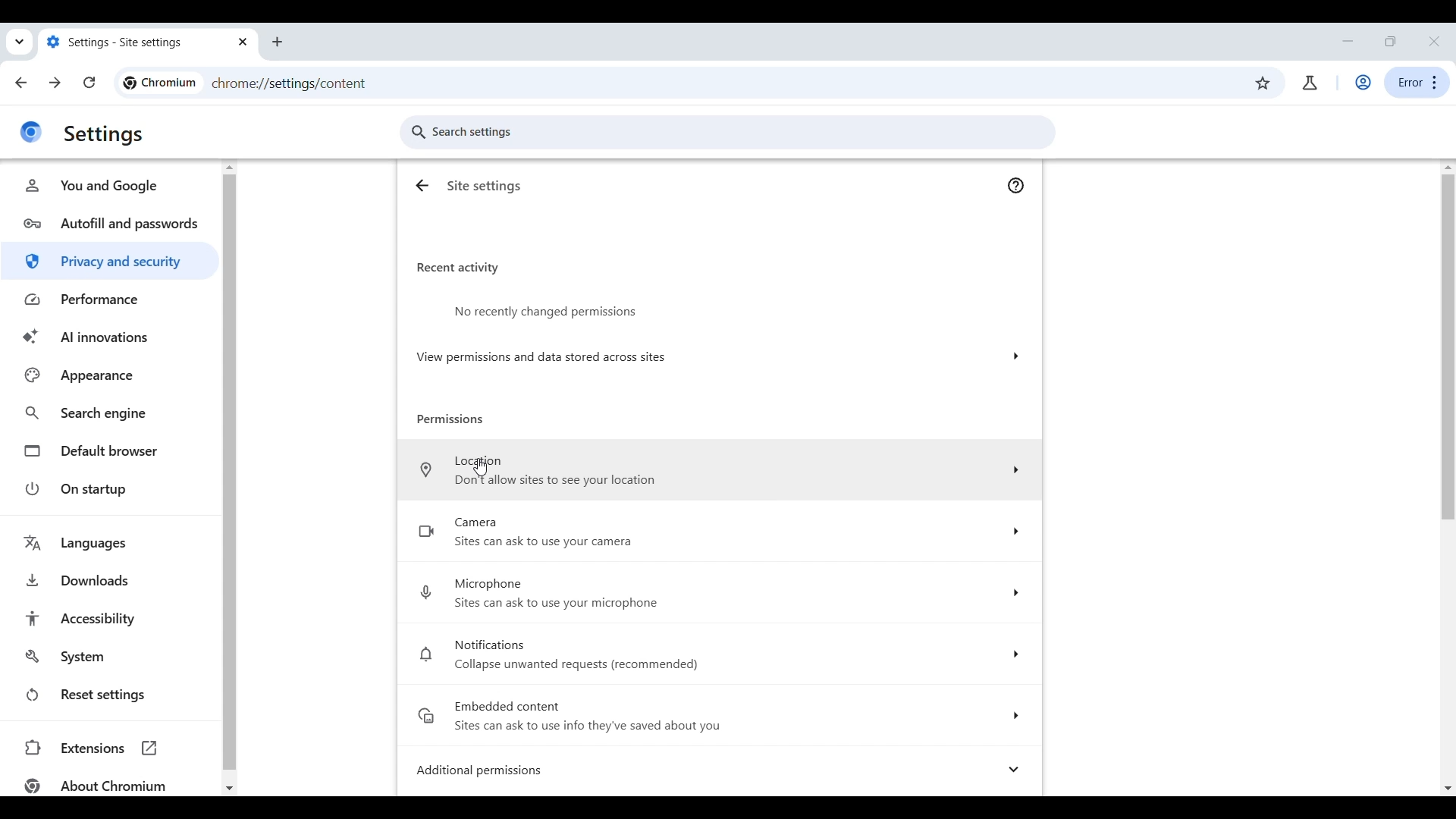 The width and height of the screenshot is (1456, 819). I want to click on resize, so click(1391, 41).